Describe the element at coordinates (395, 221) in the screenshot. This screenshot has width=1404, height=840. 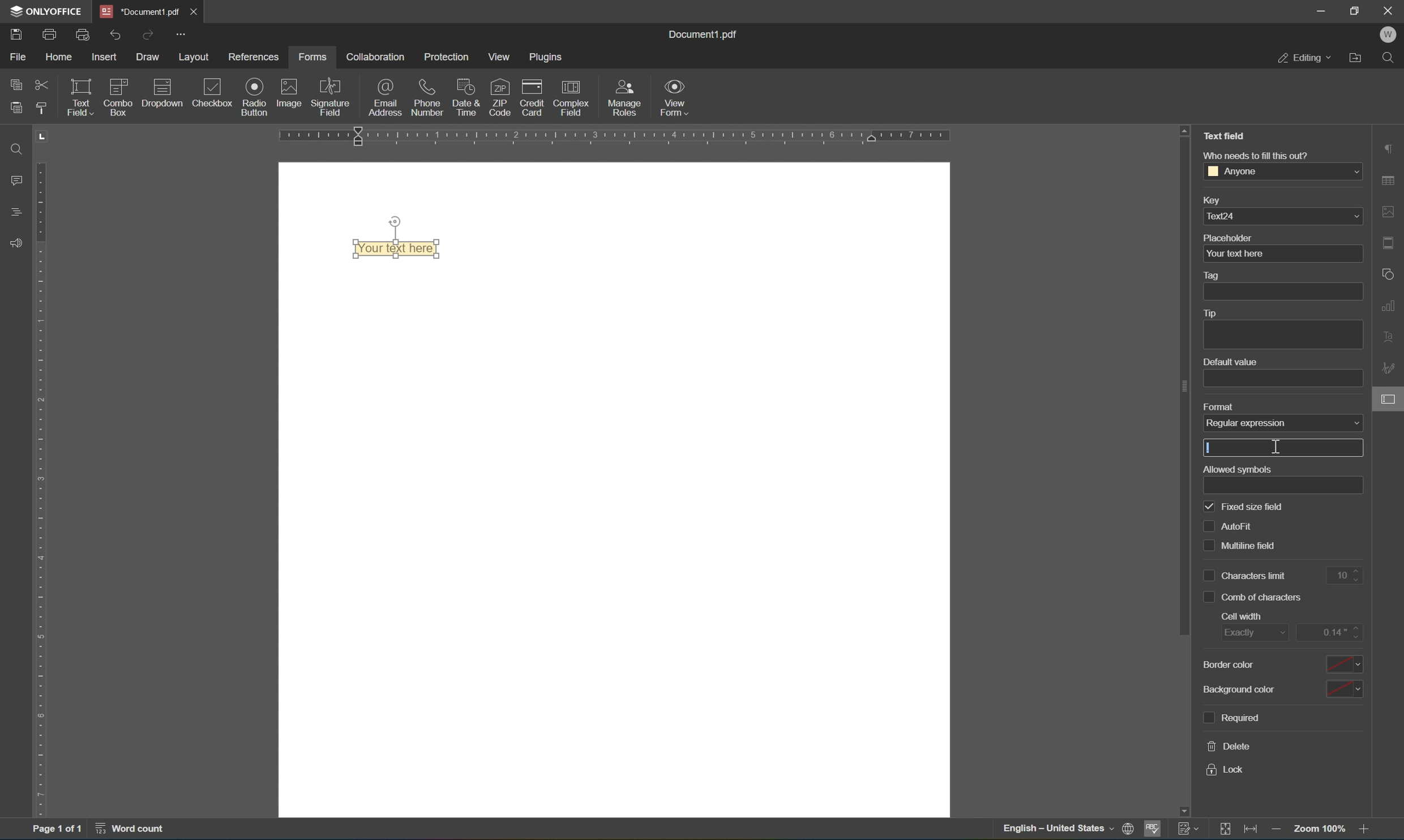
I see `rotate` at that location.